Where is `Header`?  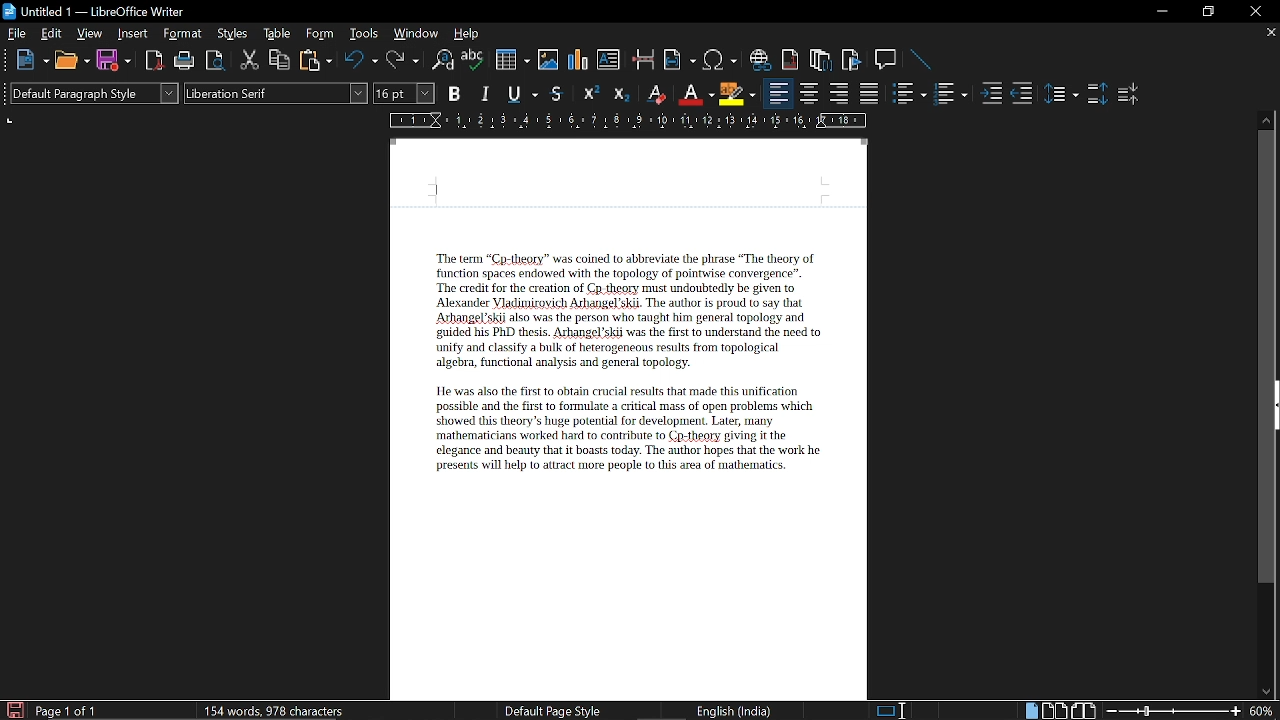
Header is located at coordinates (629, 173).